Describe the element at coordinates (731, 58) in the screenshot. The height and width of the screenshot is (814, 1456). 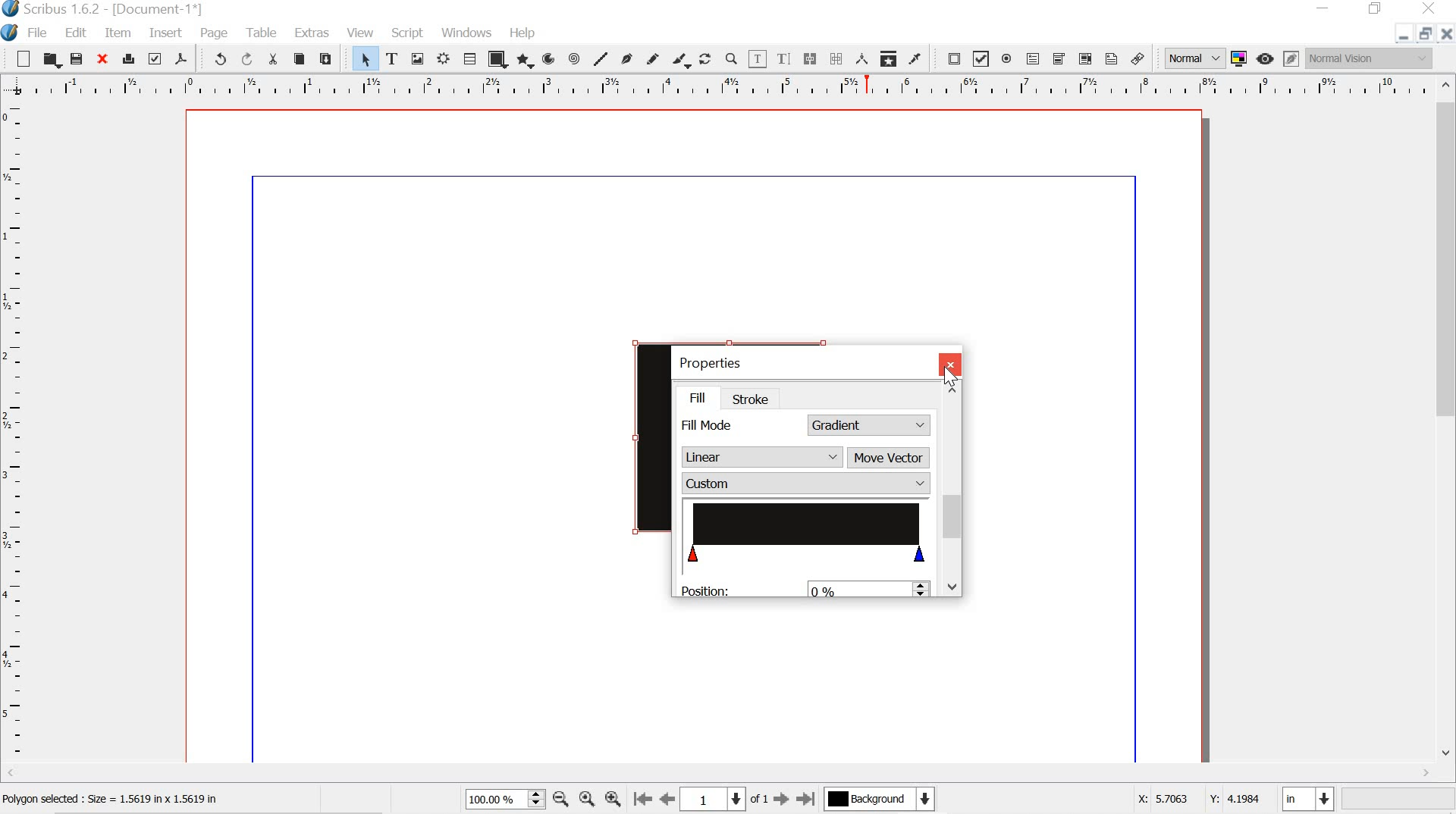
I see `zoom in or zoom out` at that location.